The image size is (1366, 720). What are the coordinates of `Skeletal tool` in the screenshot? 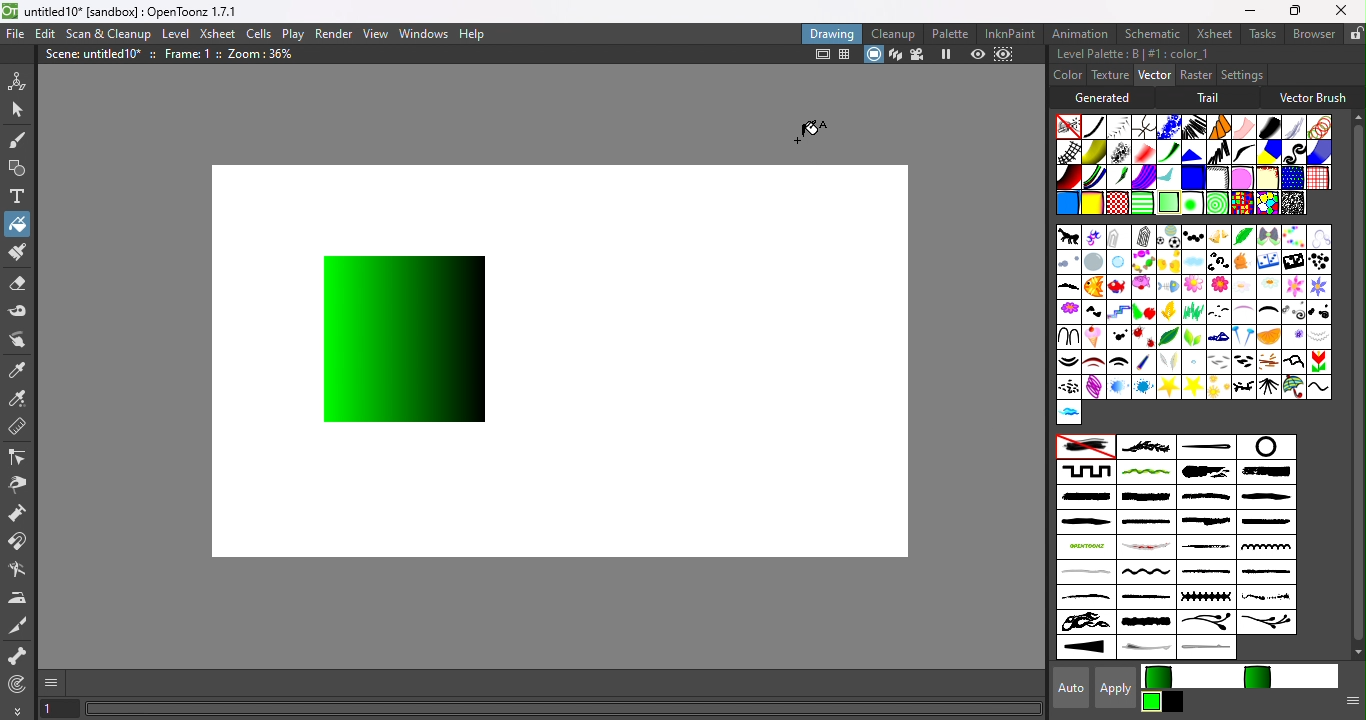 It's located at (18, 657).